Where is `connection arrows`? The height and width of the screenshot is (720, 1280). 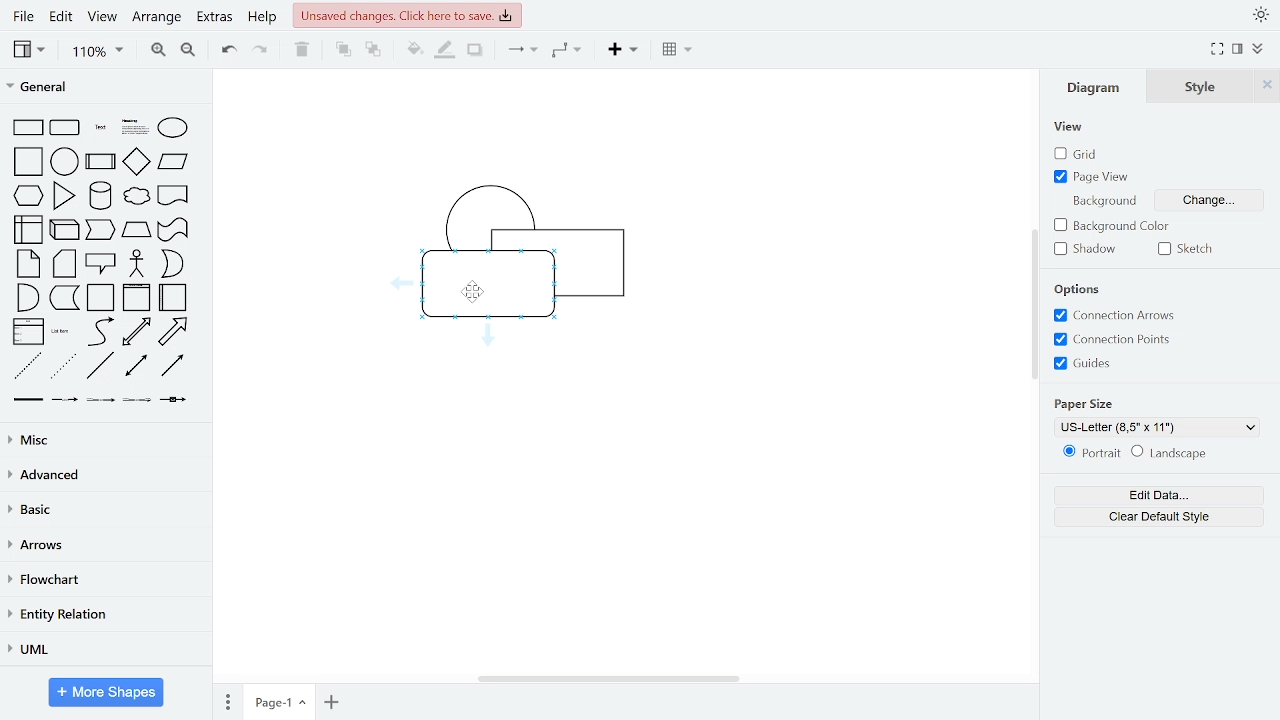 connection arrows is located at coordinates (1114, 317).